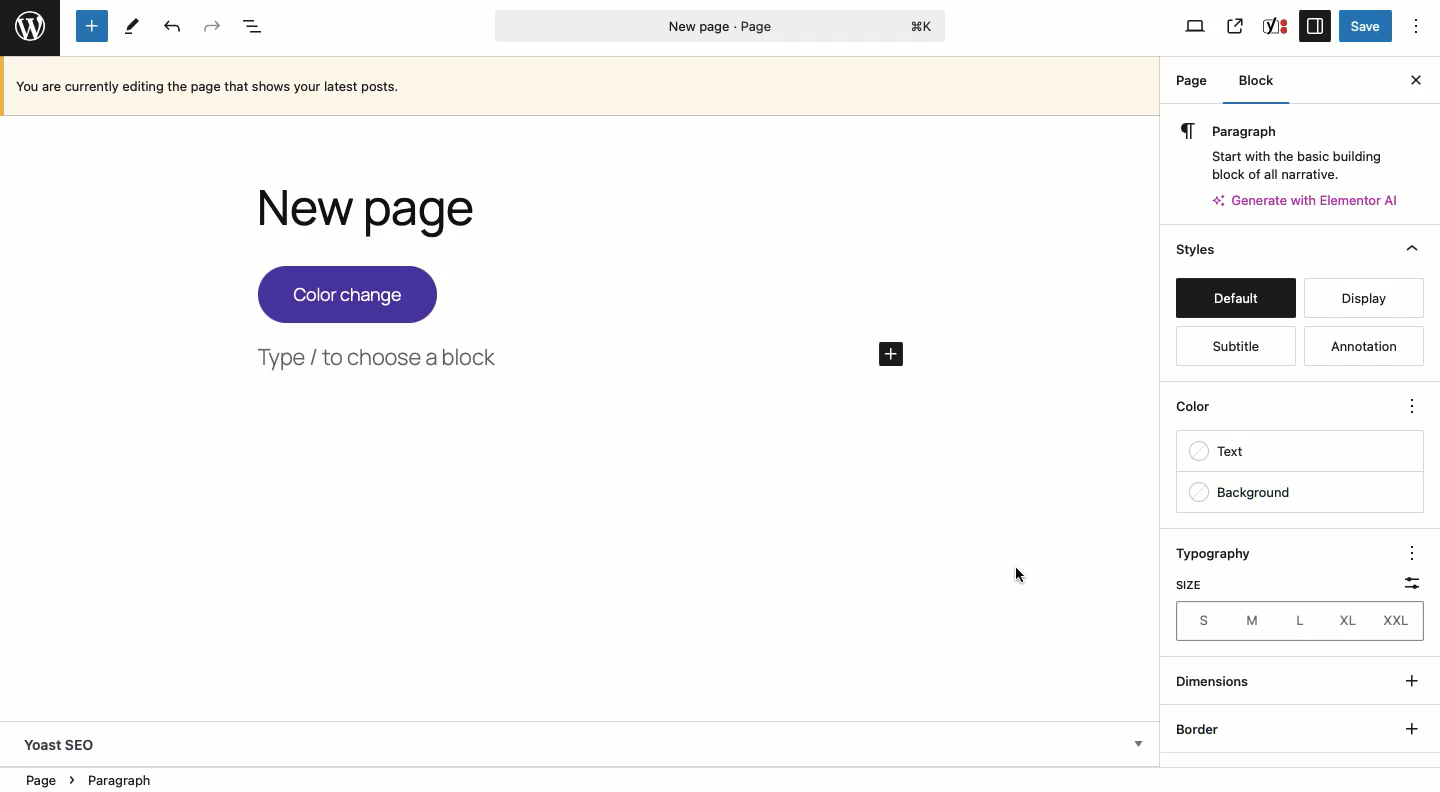  I want to click on Page, so click(1192, 80).